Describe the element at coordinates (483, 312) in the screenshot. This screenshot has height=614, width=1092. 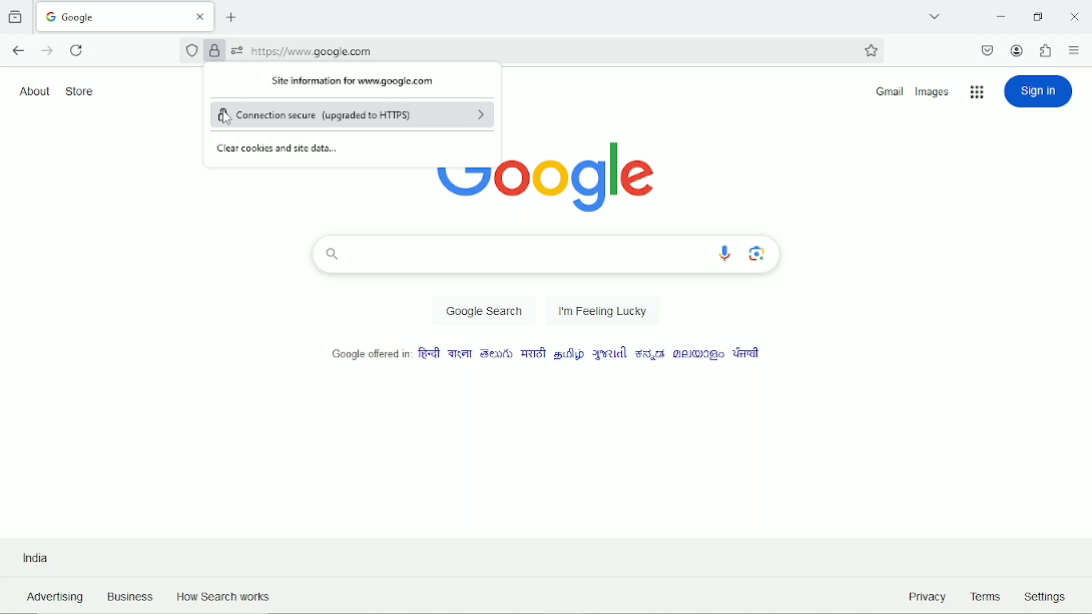
I see `Google Search` at that location.